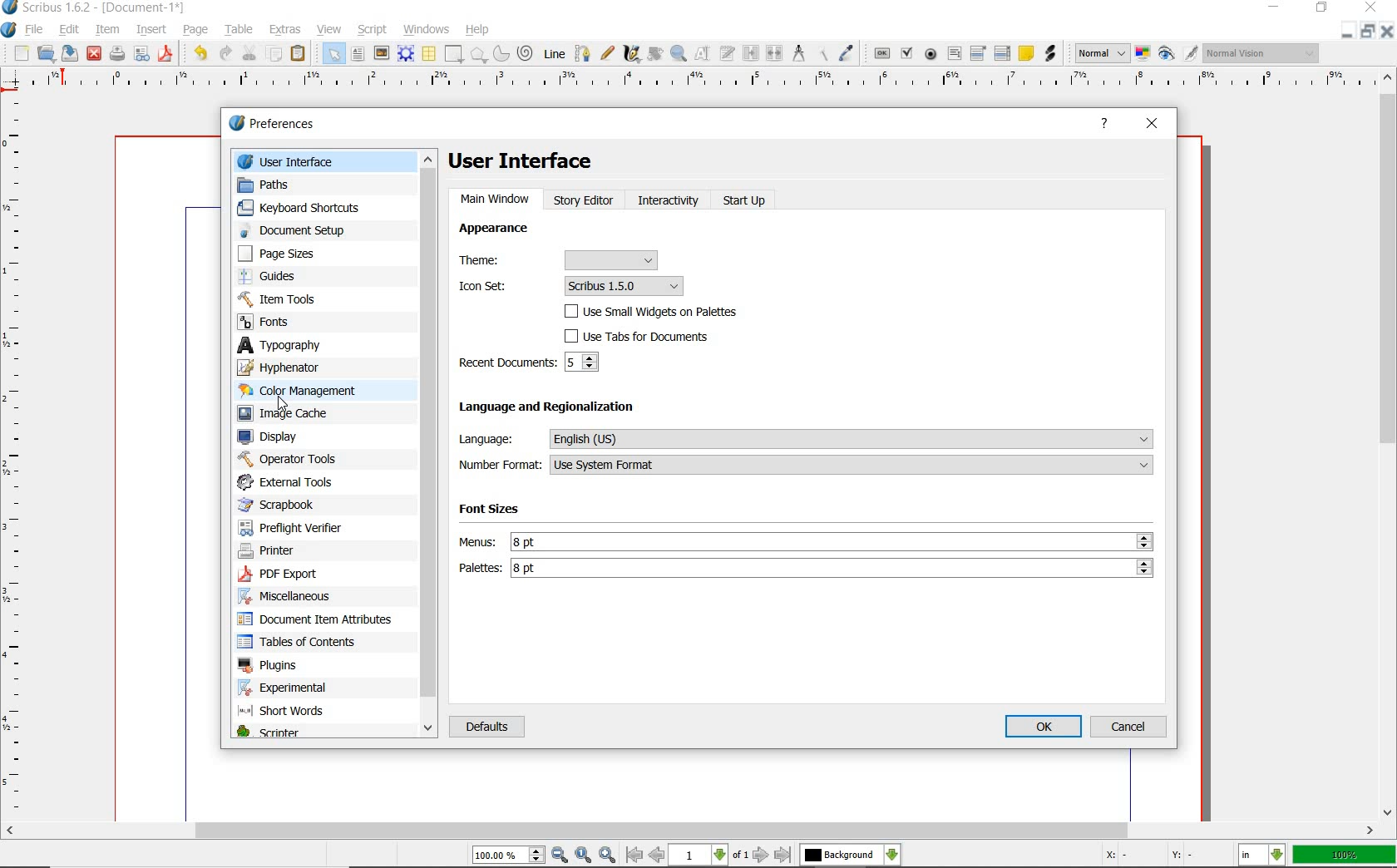 The image size is (1397, 868). I want to click on scrollbar, so click(1387, 445).